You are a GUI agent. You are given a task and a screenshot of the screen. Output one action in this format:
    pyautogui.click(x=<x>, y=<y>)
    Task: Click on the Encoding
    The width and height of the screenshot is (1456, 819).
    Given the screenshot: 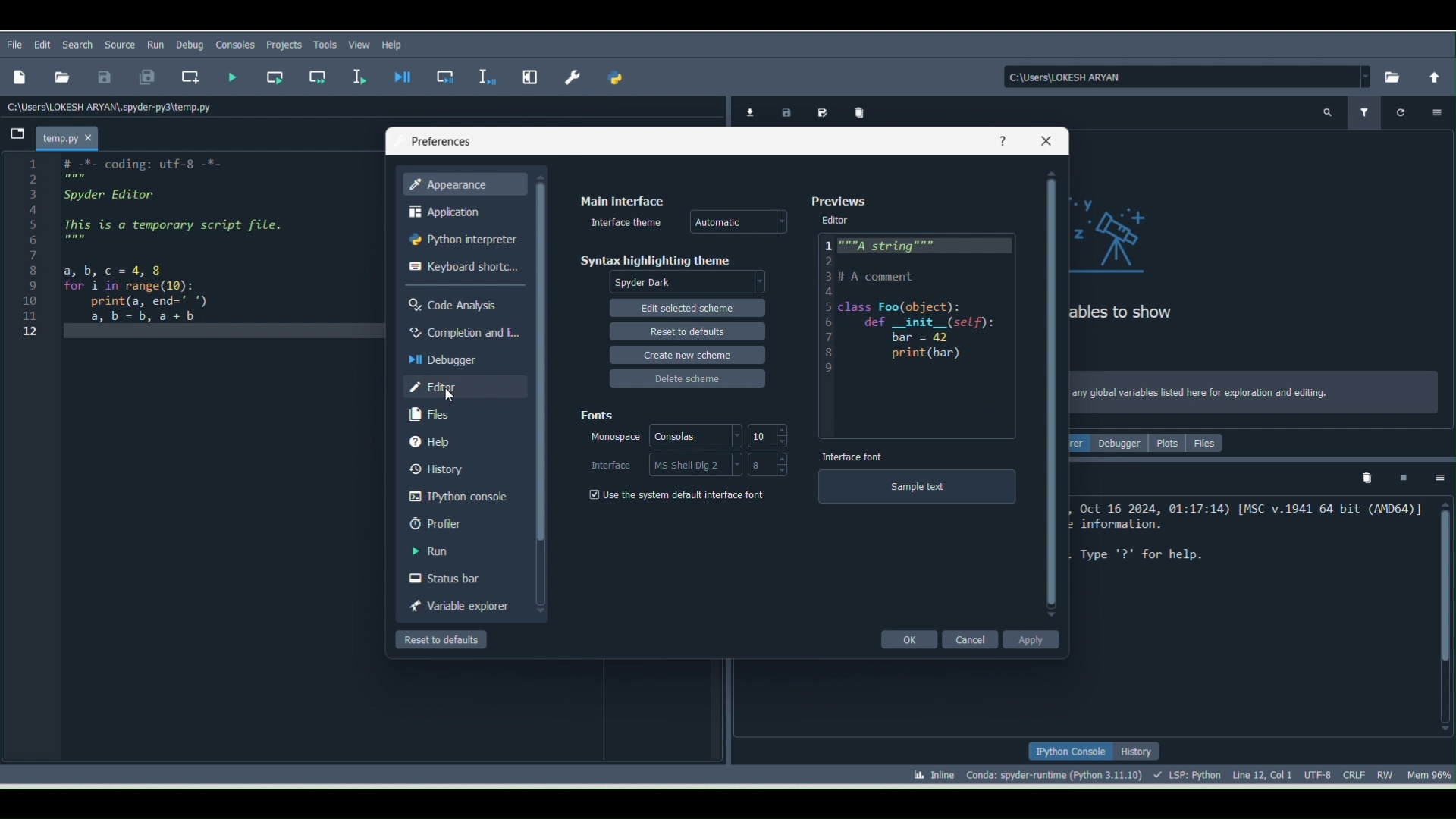 What is the action you would take?
    pyautogui.click(x=1321, y=773)
    